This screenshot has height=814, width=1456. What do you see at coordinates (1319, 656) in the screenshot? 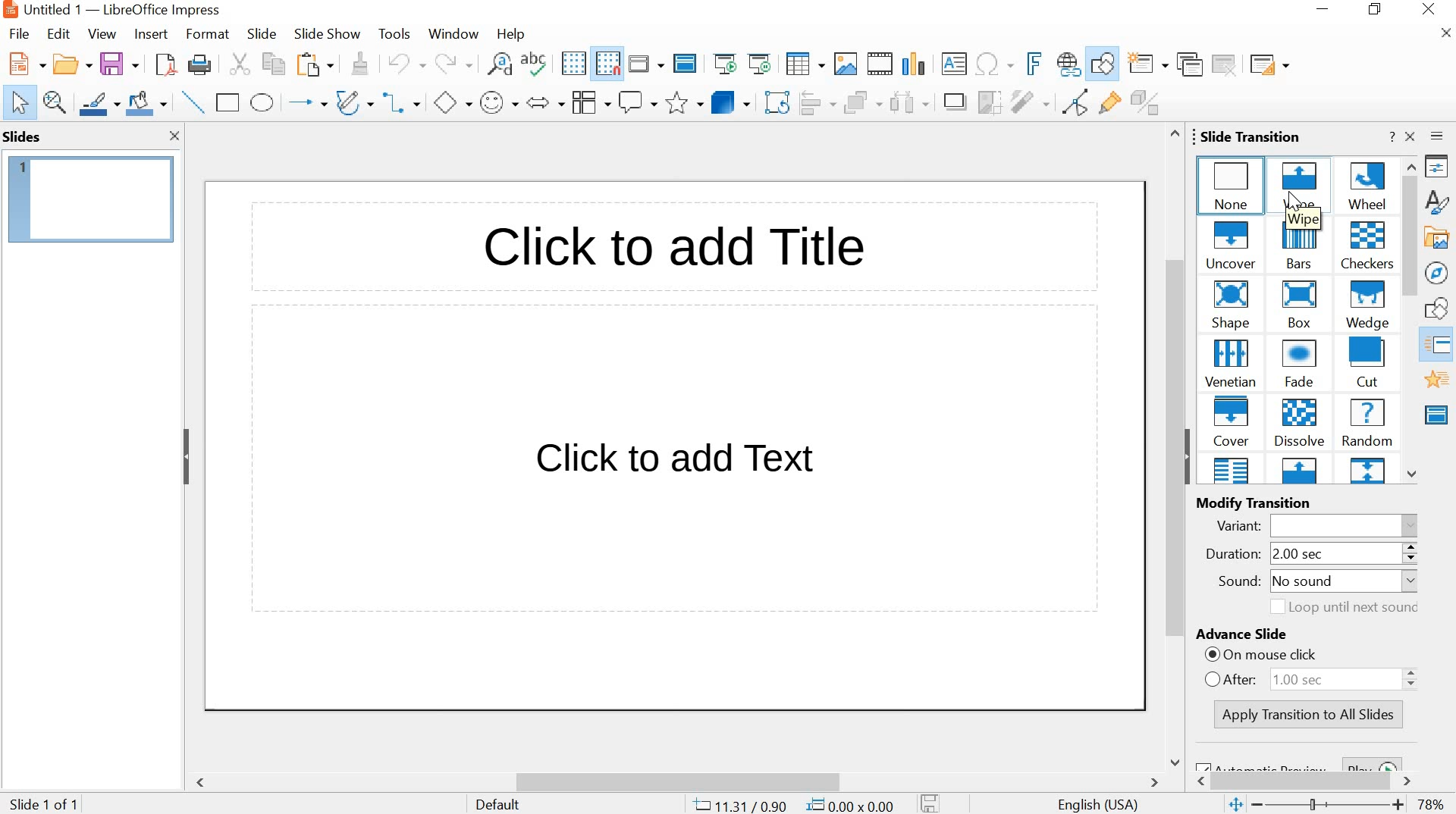
I see `ON MOUSE CLICK` at bounding box center [1319, 656].